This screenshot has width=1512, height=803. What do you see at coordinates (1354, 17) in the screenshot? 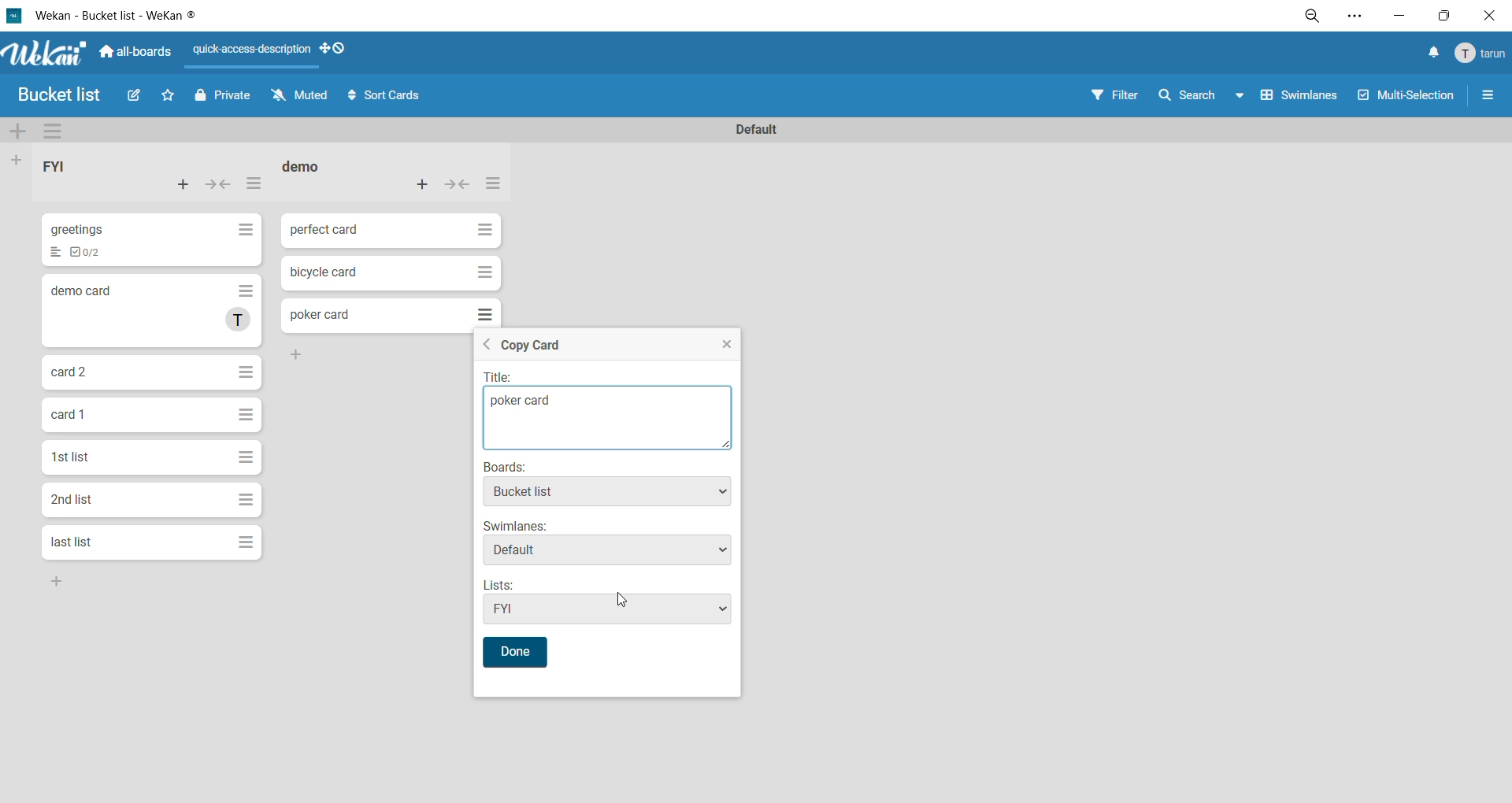
I see `settings` at bounding box center [1354, 17].